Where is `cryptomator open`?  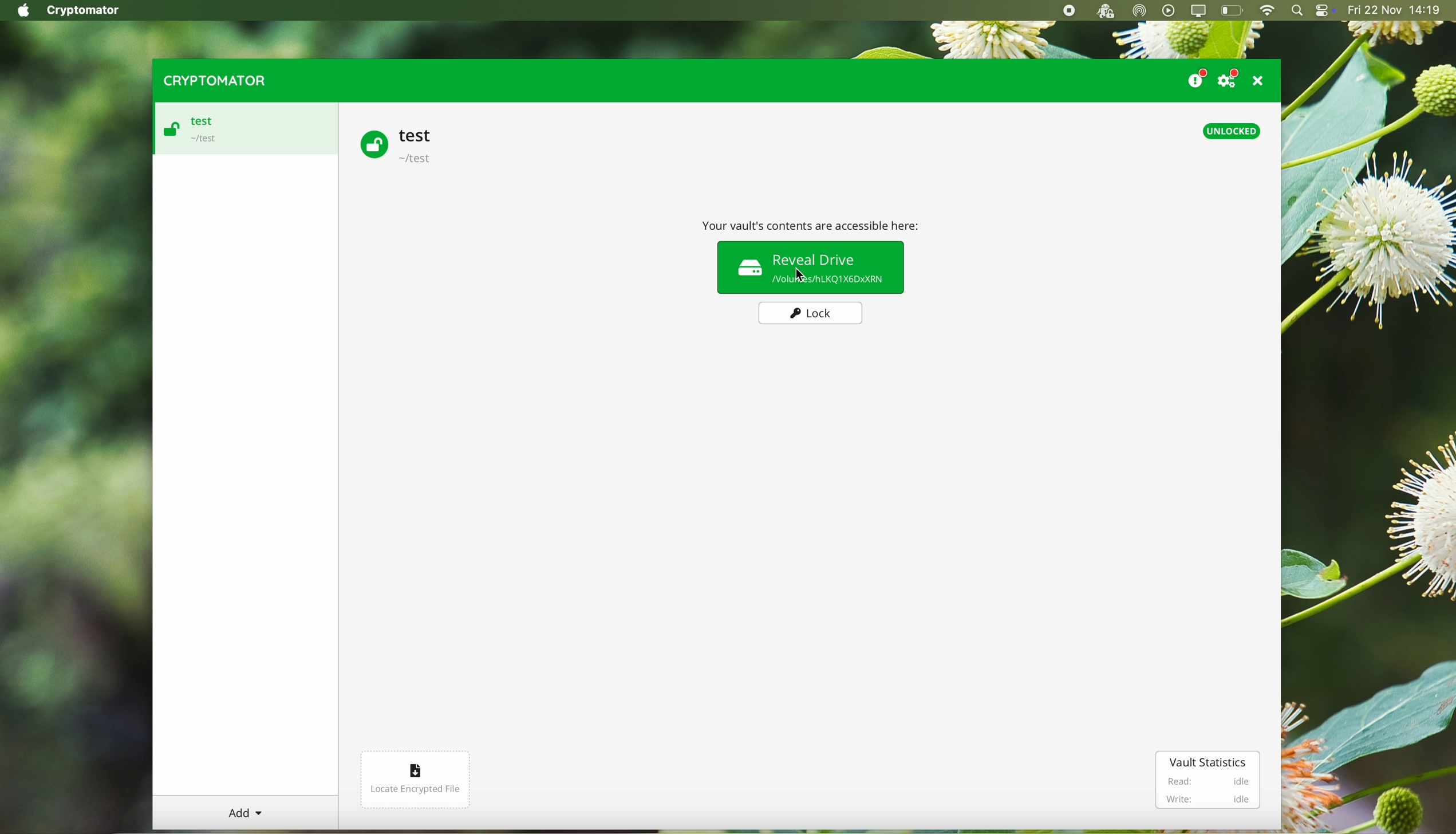 cryptomator open is located at coordinates (1103, 11).